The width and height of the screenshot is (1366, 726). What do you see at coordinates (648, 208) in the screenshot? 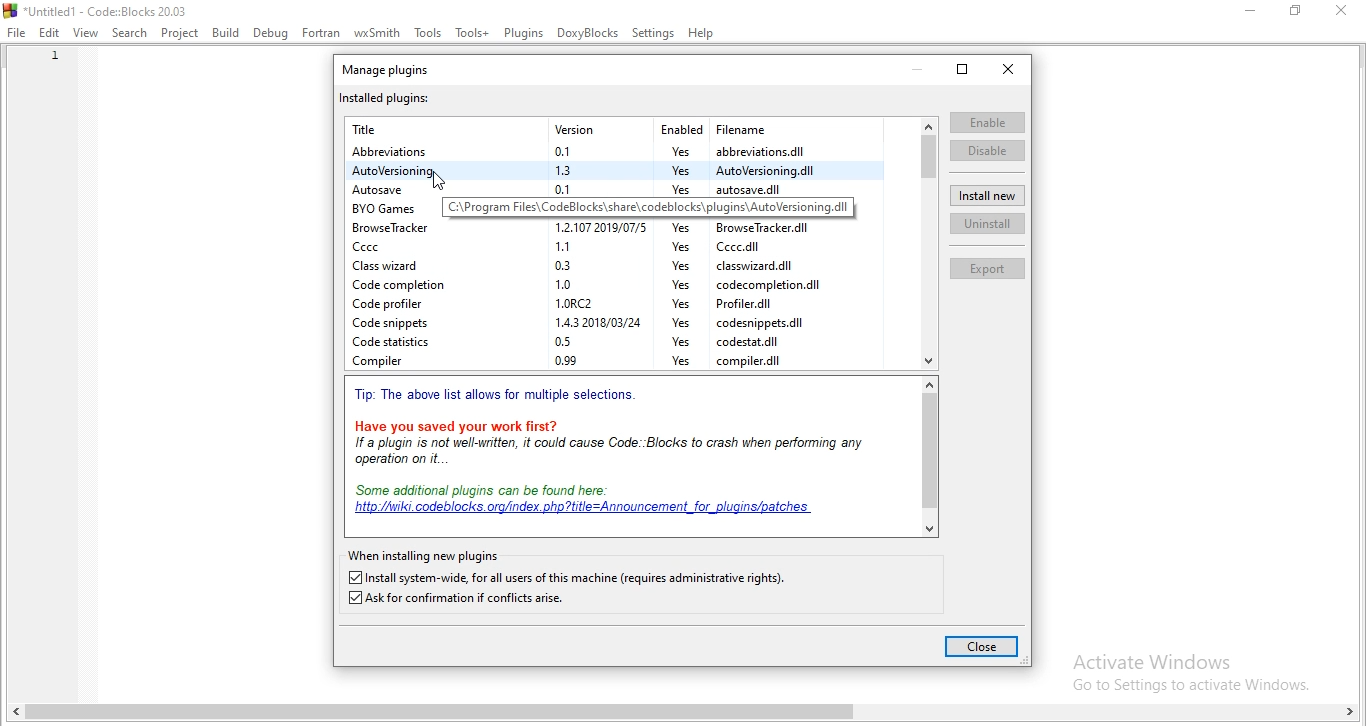
I see `C:\Program Files\CodeBlocks\share\codeblocks\plugins\AutoVersioning.dil` at bounding box center [648, 208].